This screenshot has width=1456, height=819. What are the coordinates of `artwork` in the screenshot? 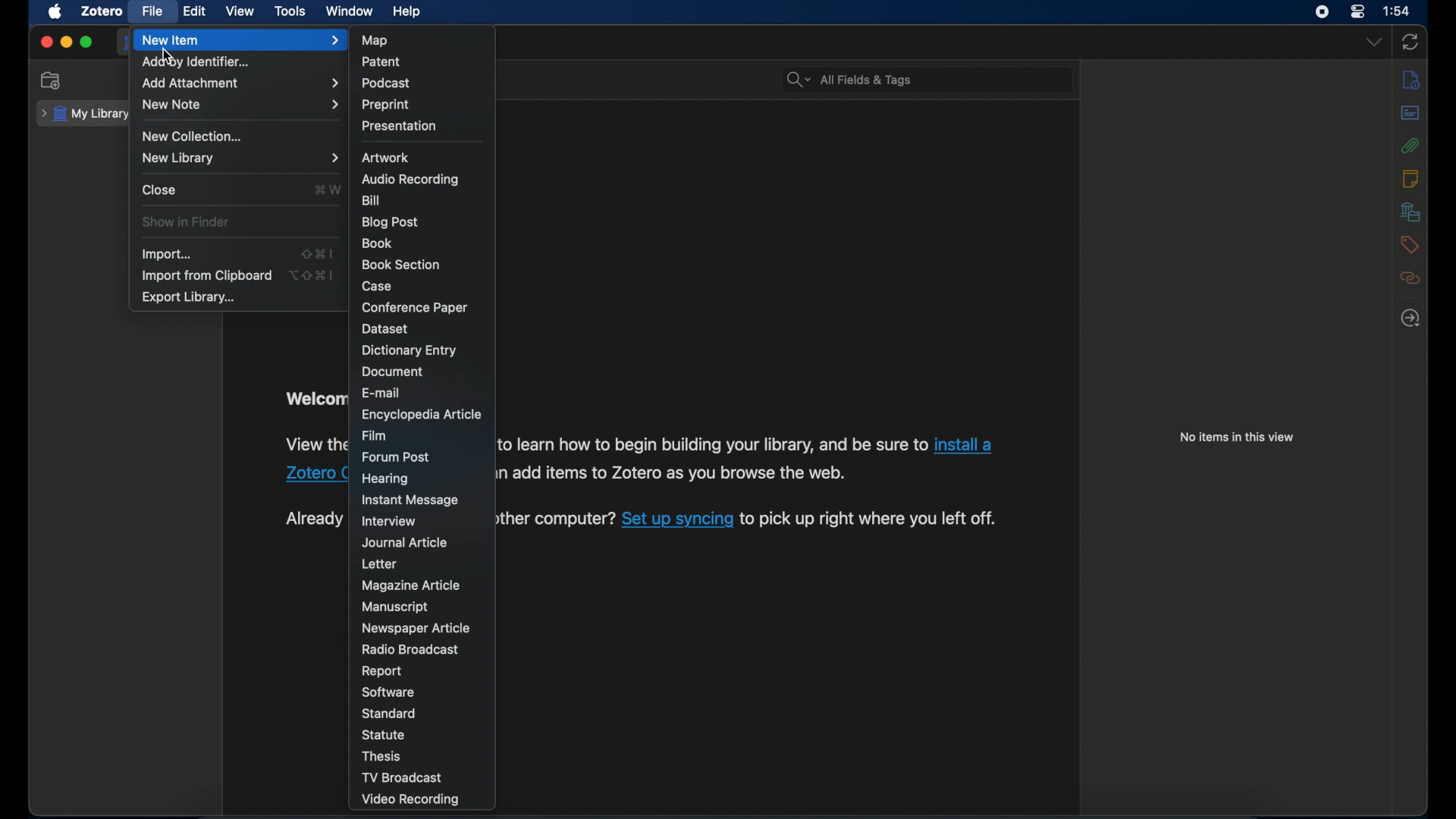 It's located at (387, 157).